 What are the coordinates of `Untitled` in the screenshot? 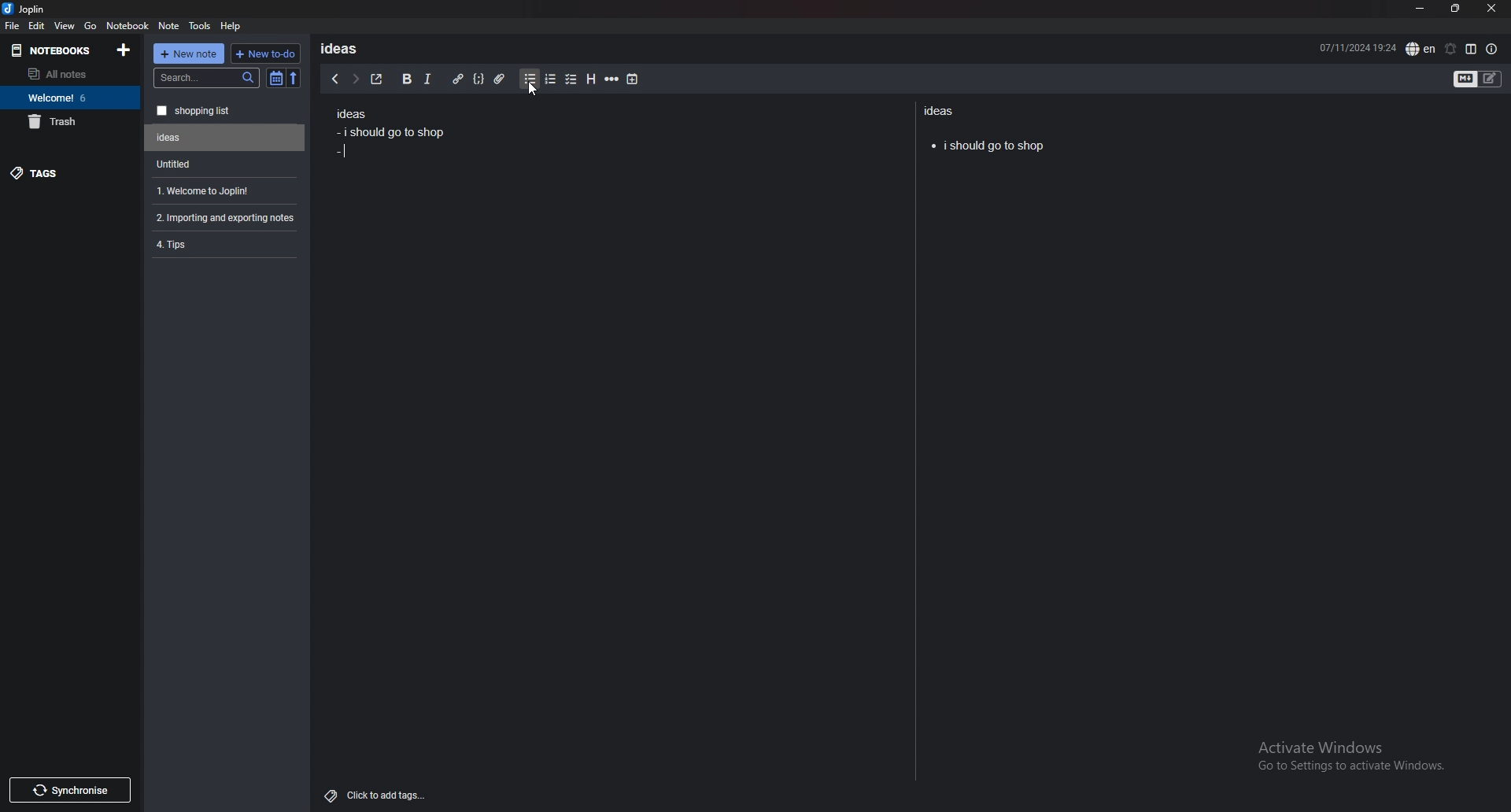 It's located at (221, 164).